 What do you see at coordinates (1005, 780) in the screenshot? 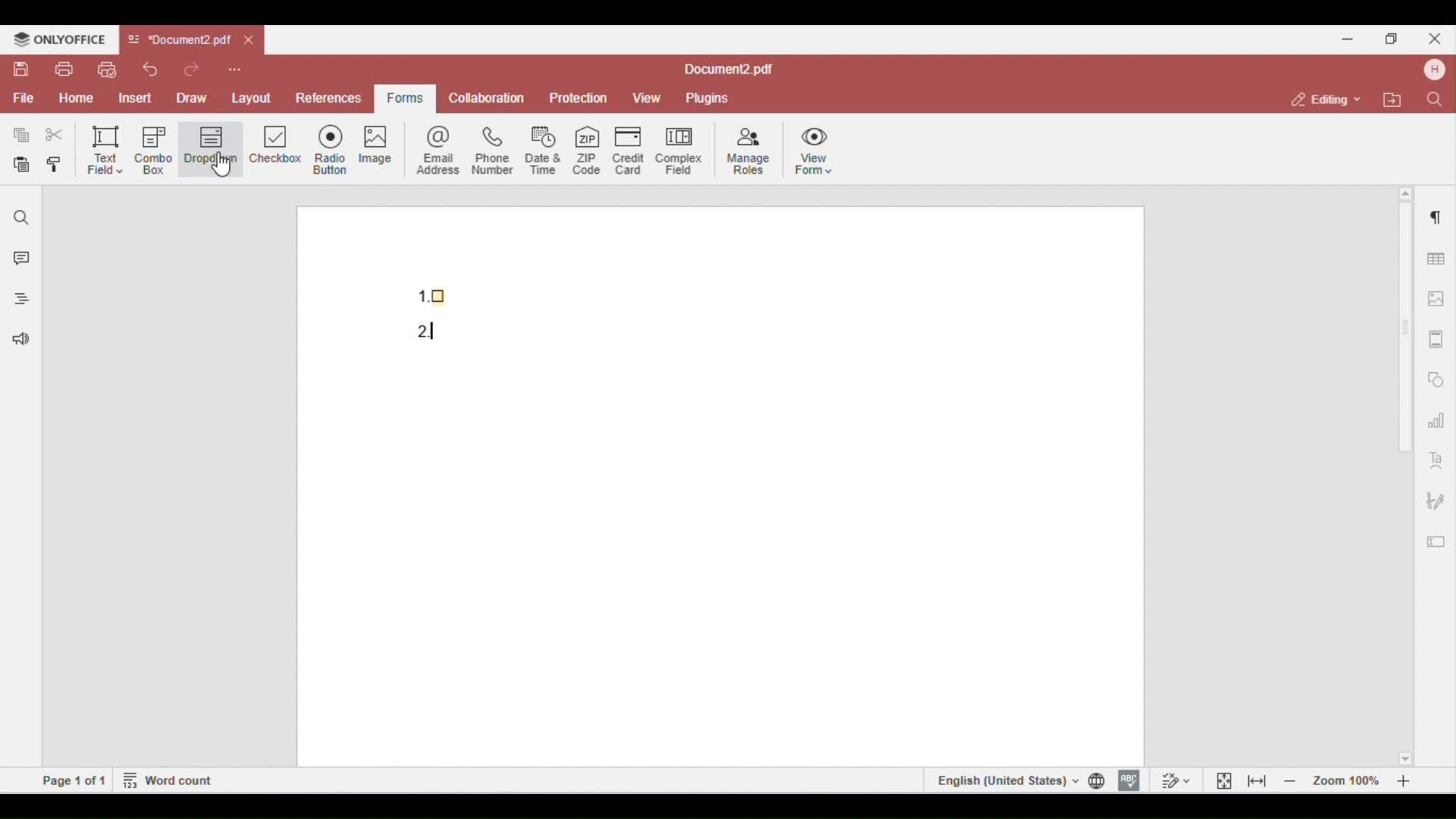
I see `set text language` at bounding box center [1005, 780].